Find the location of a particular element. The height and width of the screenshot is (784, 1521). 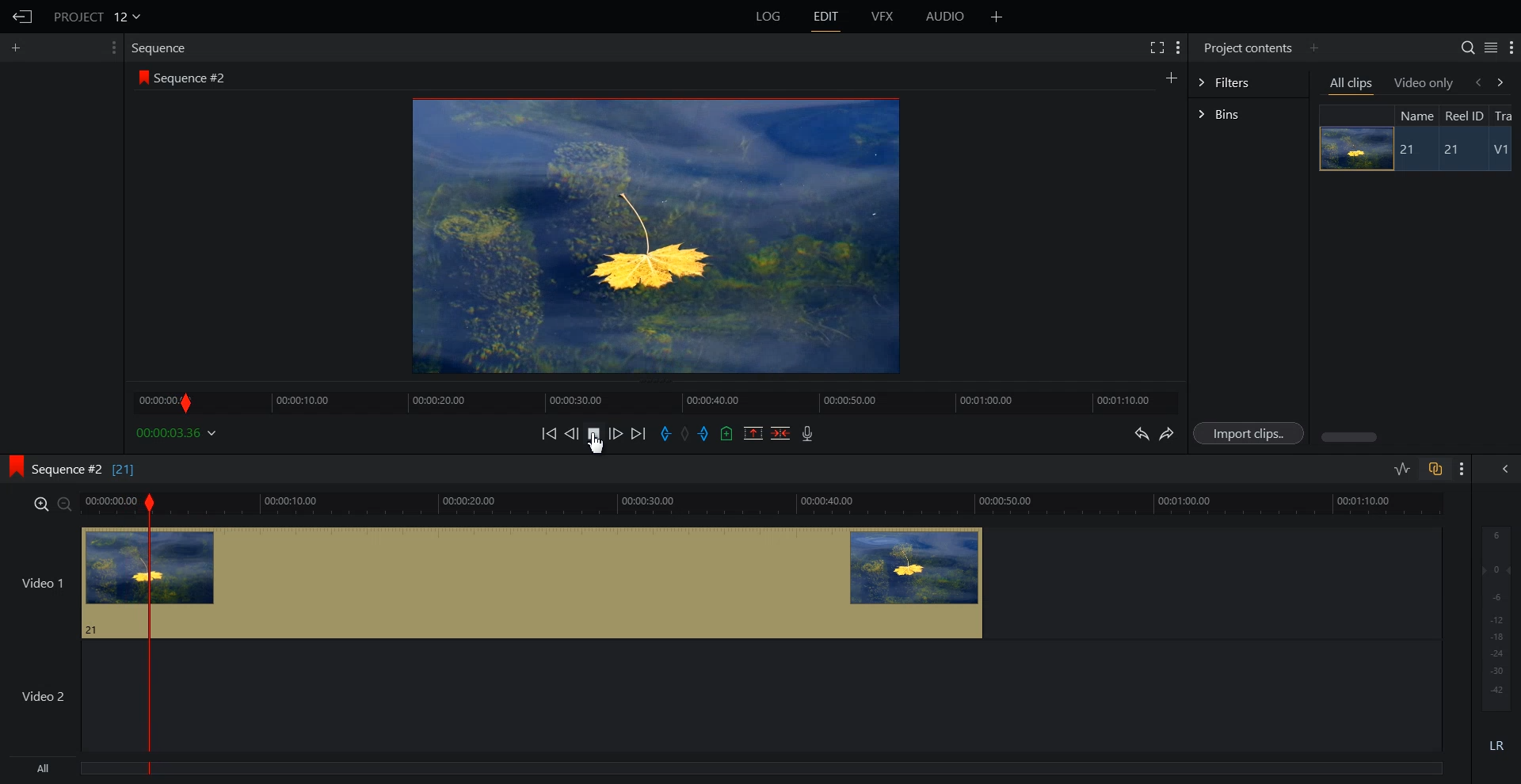

Cursor is located at coordinates (600, 446).